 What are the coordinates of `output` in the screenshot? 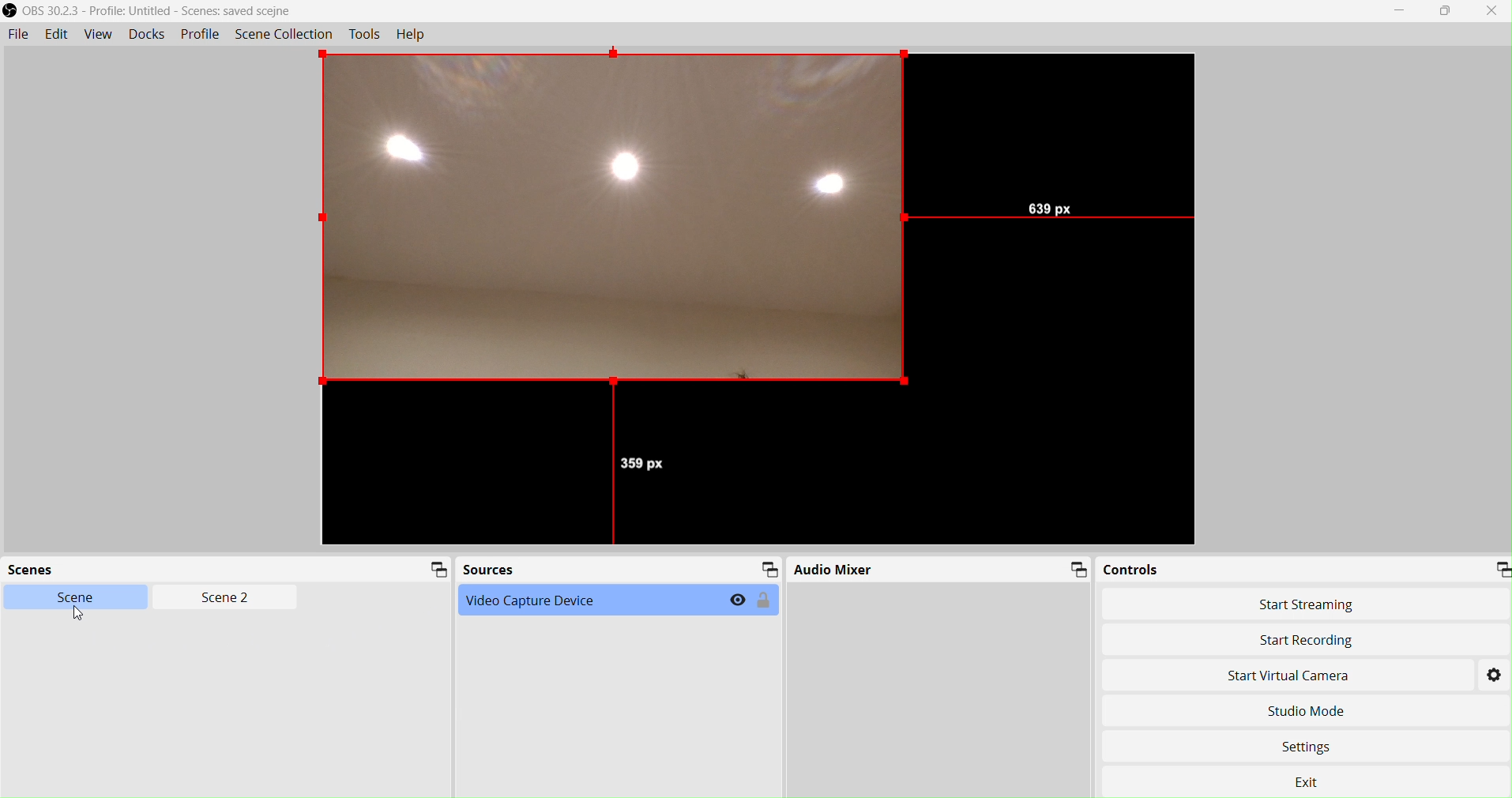 It's located at (615, 220).